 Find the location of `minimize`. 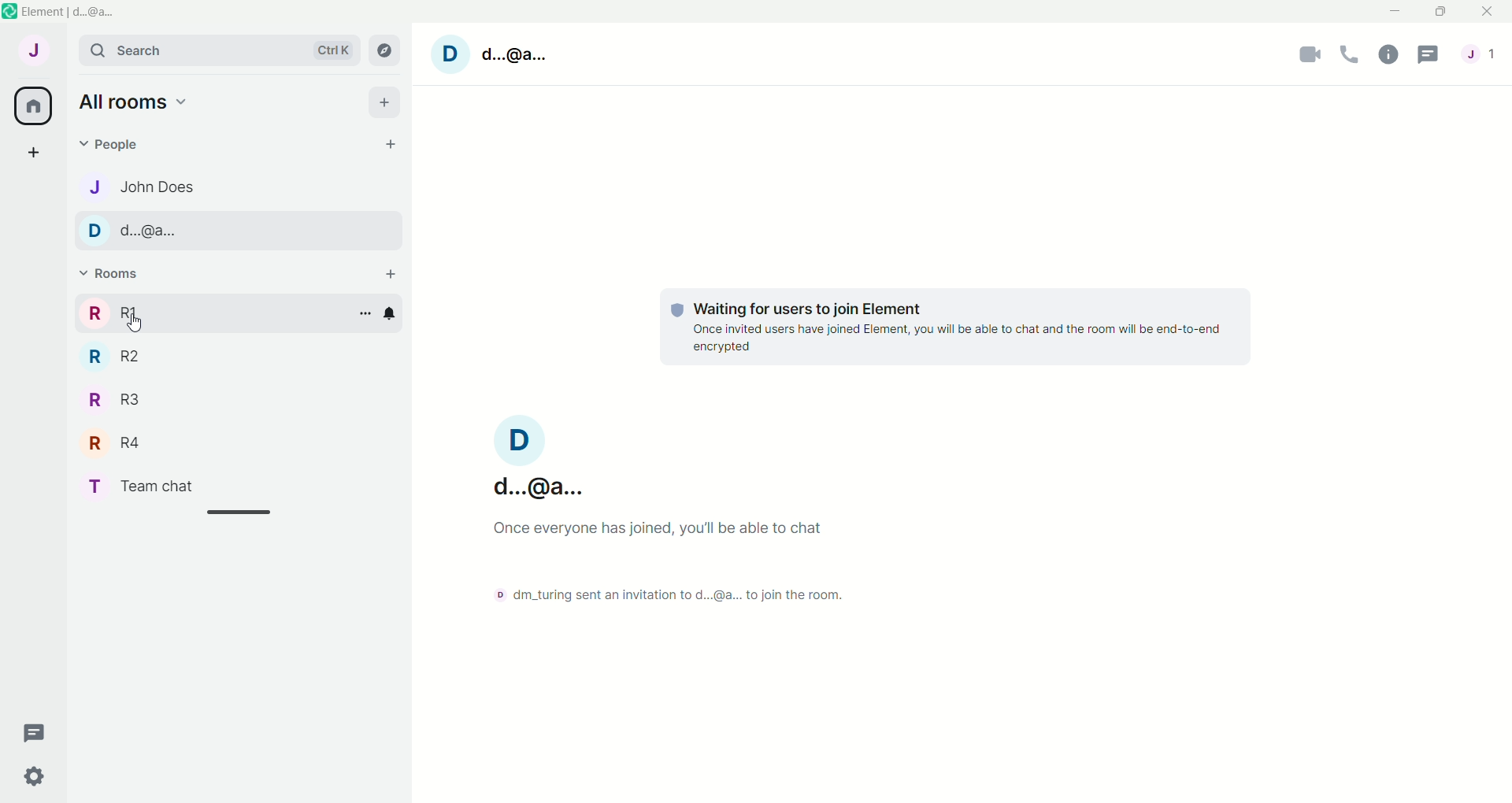

minimize is located at coordinates (1392, 13).